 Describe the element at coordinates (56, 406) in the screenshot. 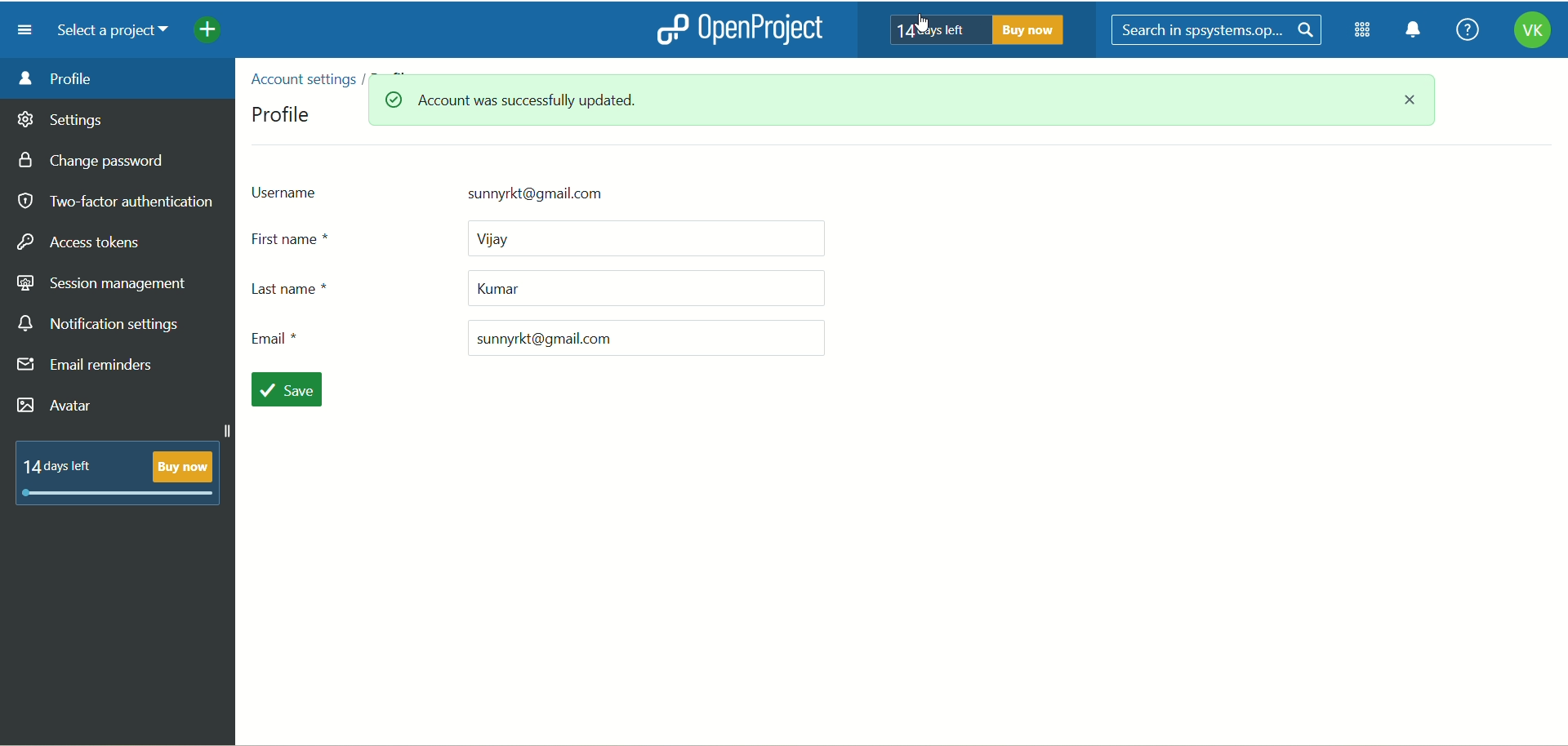

I see `avatar` at that location.